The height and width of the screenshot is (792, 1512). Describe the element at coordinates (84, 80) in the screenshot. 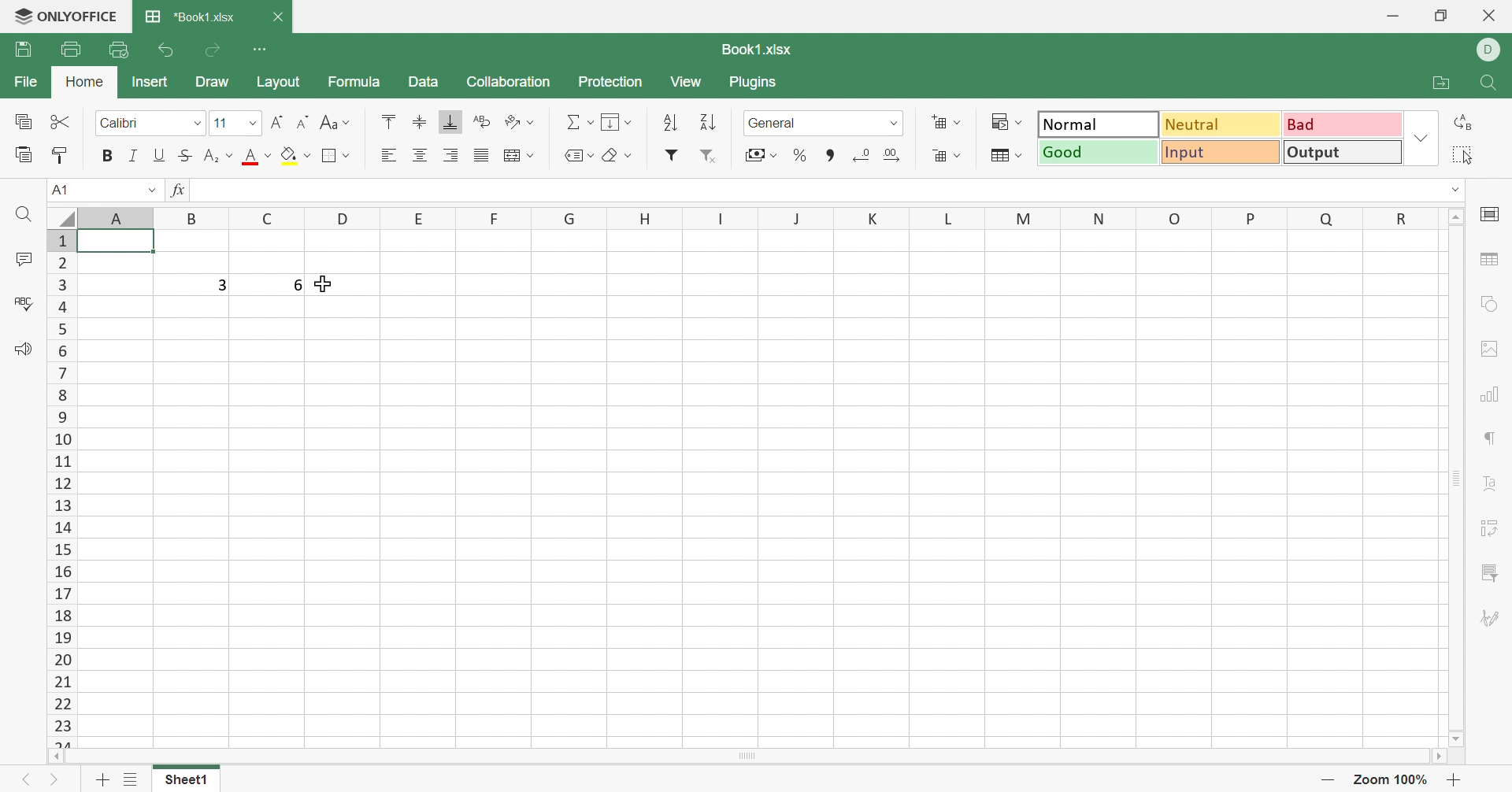

I see `Home` at that location.